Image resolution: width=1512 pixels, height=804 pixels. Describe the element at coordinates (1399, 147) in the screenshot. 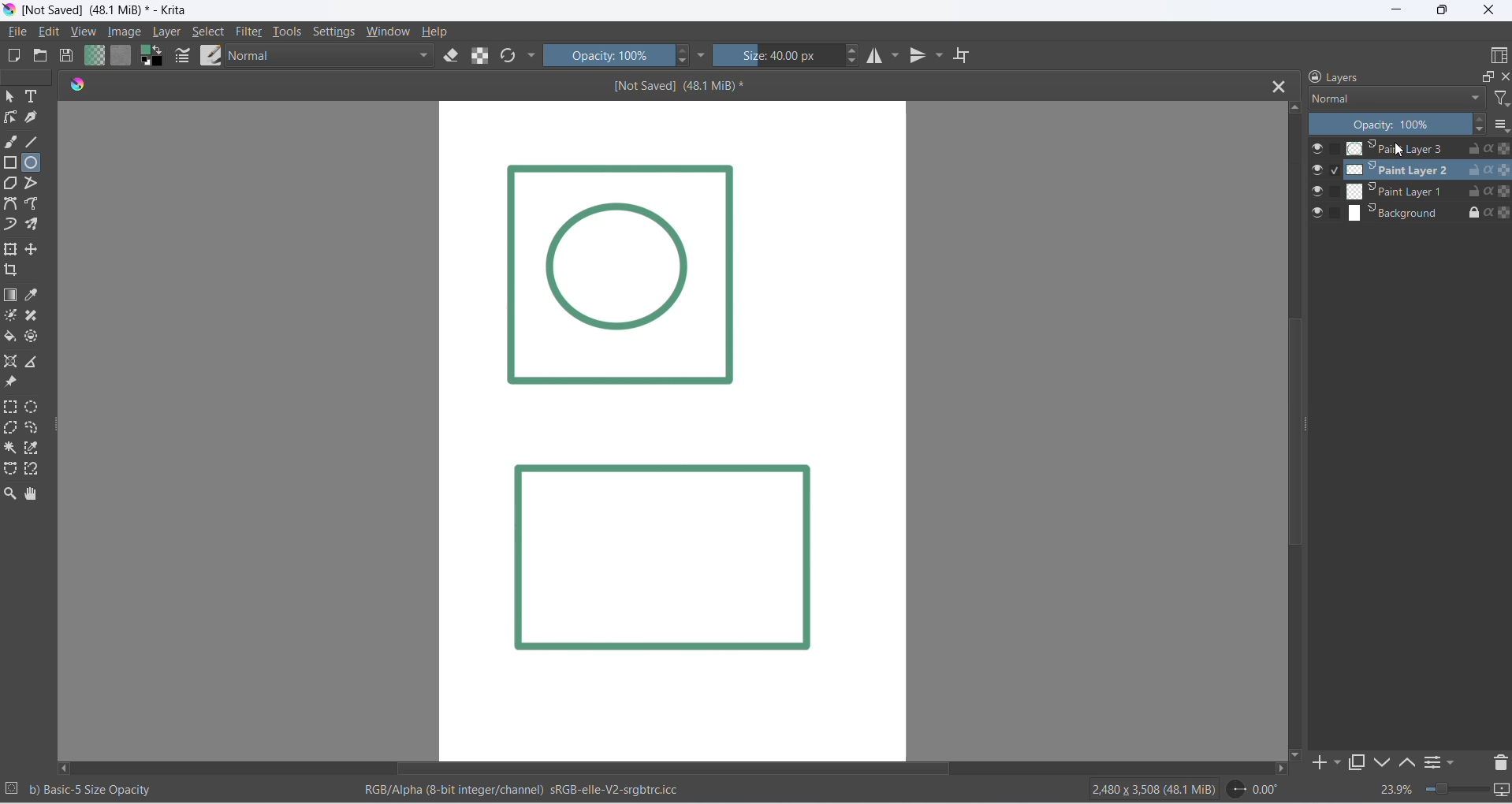

I see `Paint Layer 3` at that location.